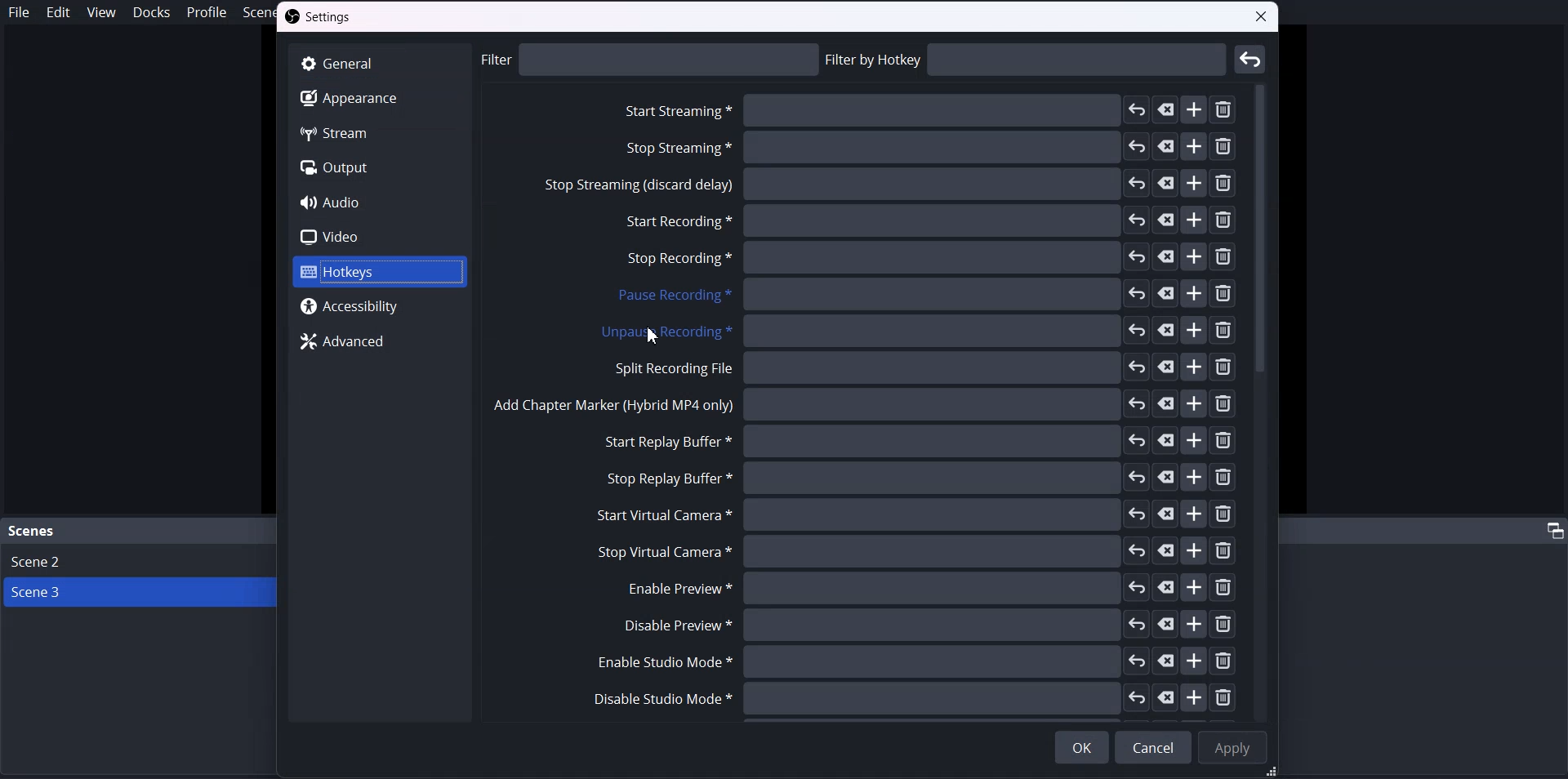 The height and width of the screenshot is (779, 1568). I want to click on Start recording, so click(930, 220).